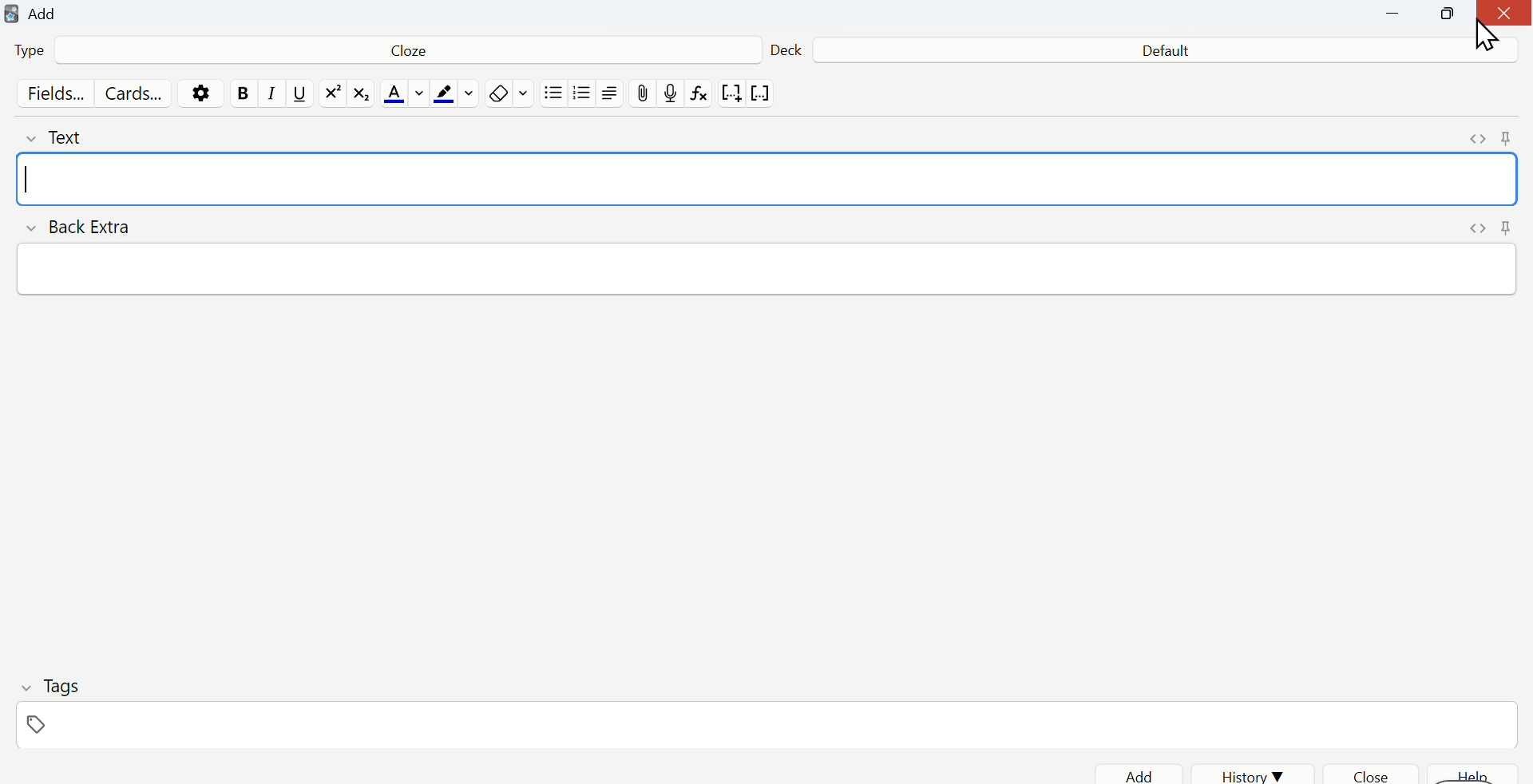 Image resolution: width=1533 pixels, height=784 pixels. Describe the element at coordinates (52, 95) in the screenshot. I see `Fields` at that location.